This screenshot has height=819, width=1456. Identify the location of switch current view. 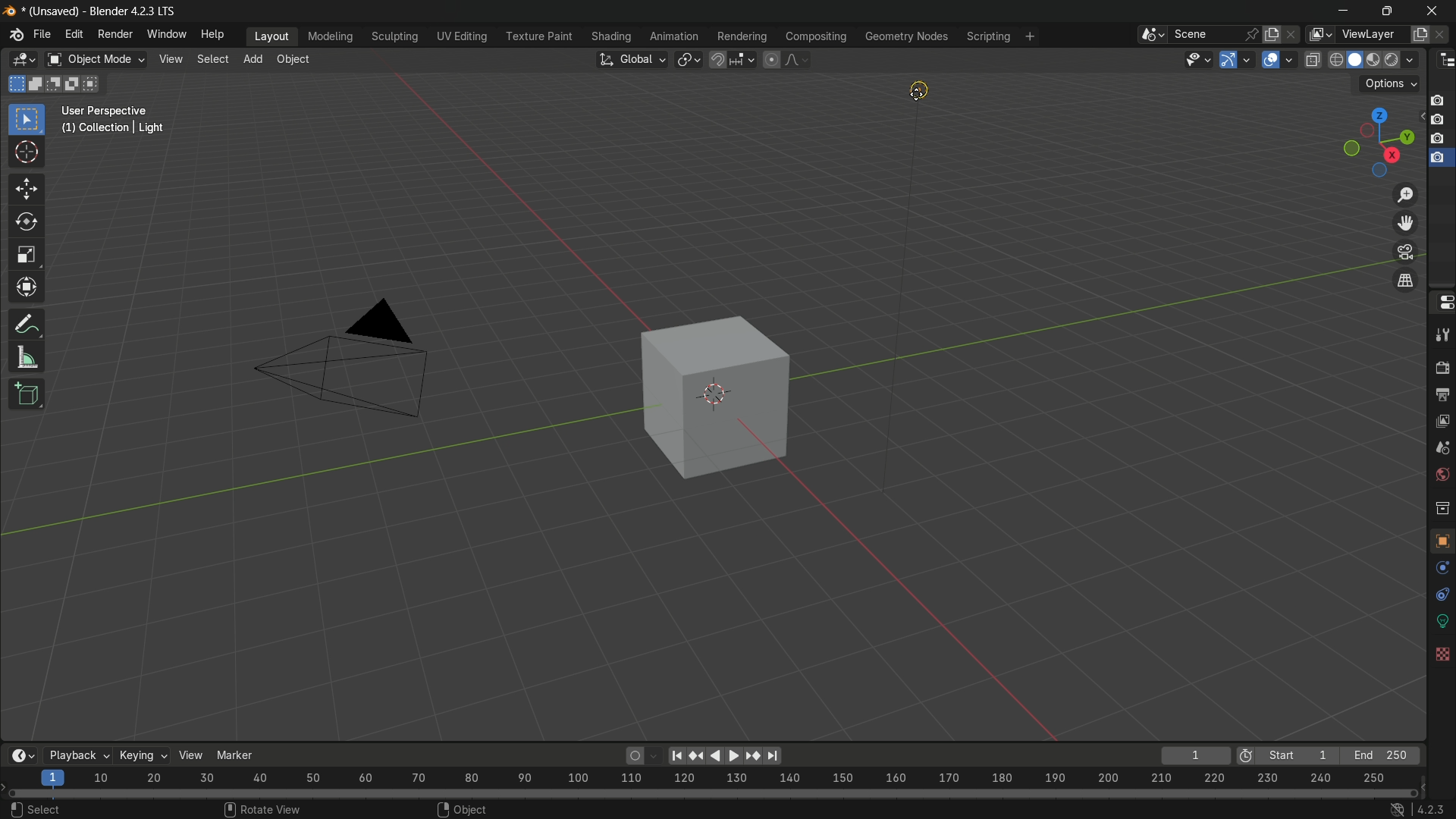
(1402, 280).